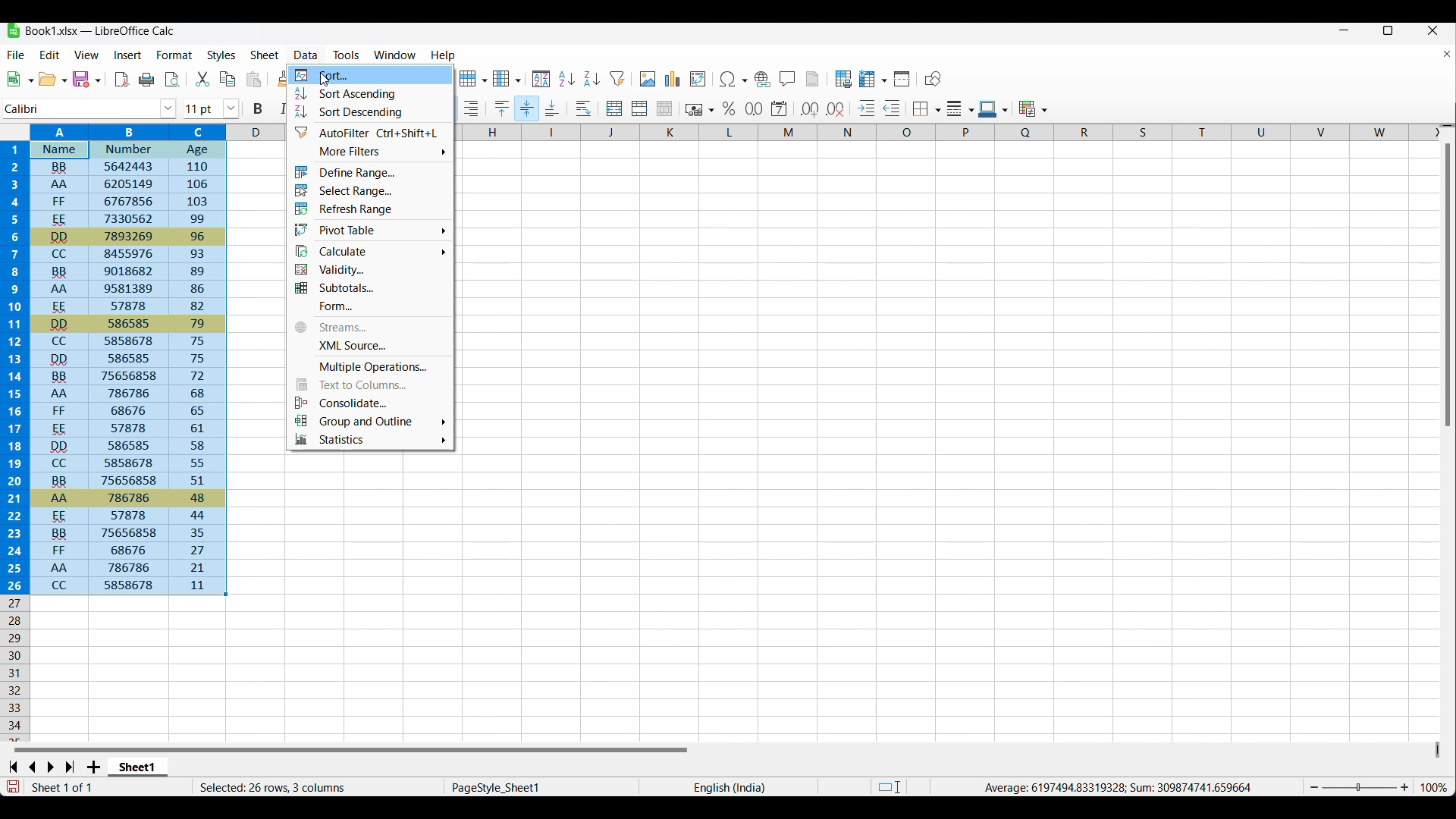  I want to click on Save options, so click(86, 79).